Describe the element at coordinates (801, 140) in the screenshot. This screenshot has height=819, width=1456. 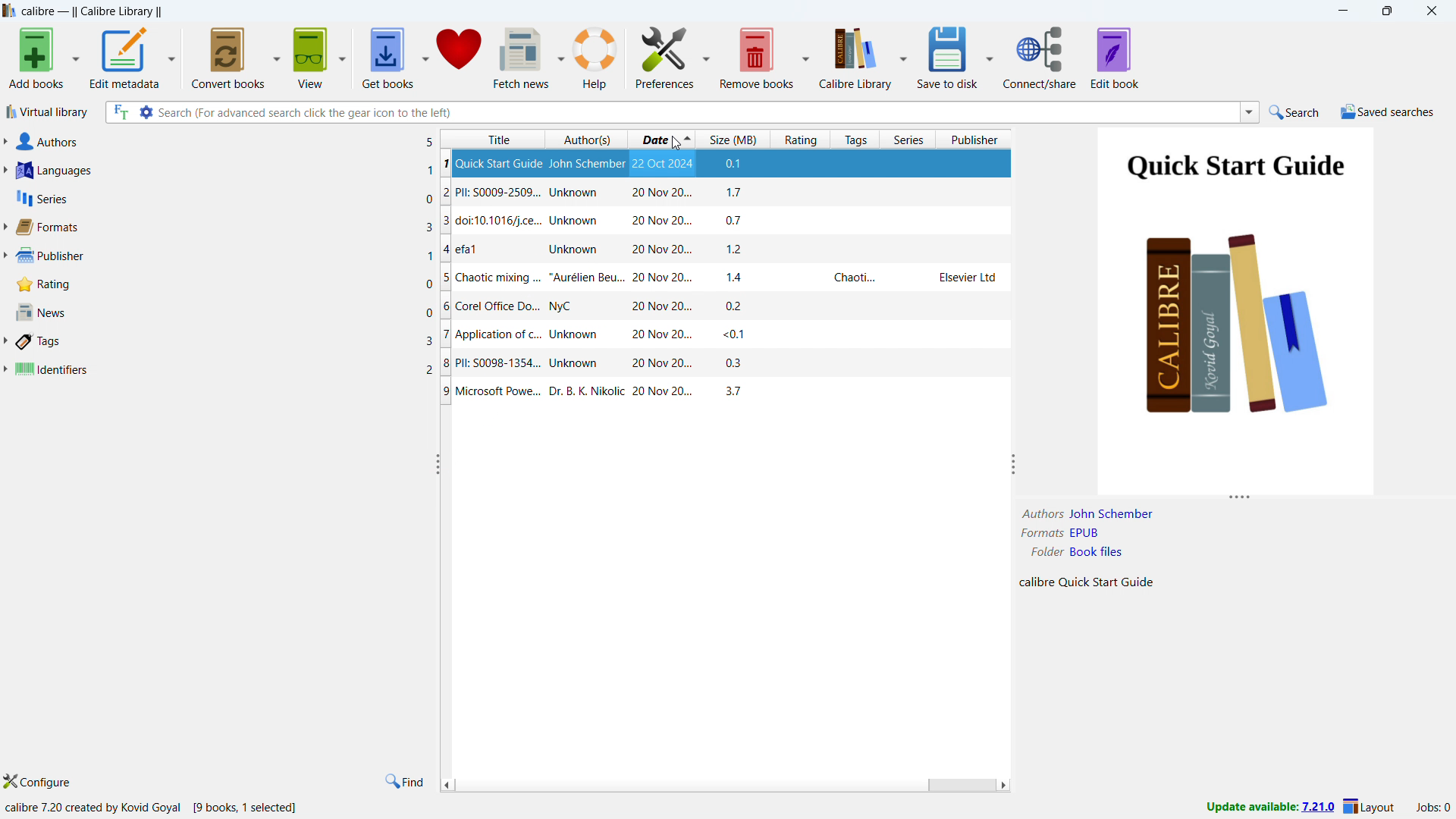
I see `rating` at that location.